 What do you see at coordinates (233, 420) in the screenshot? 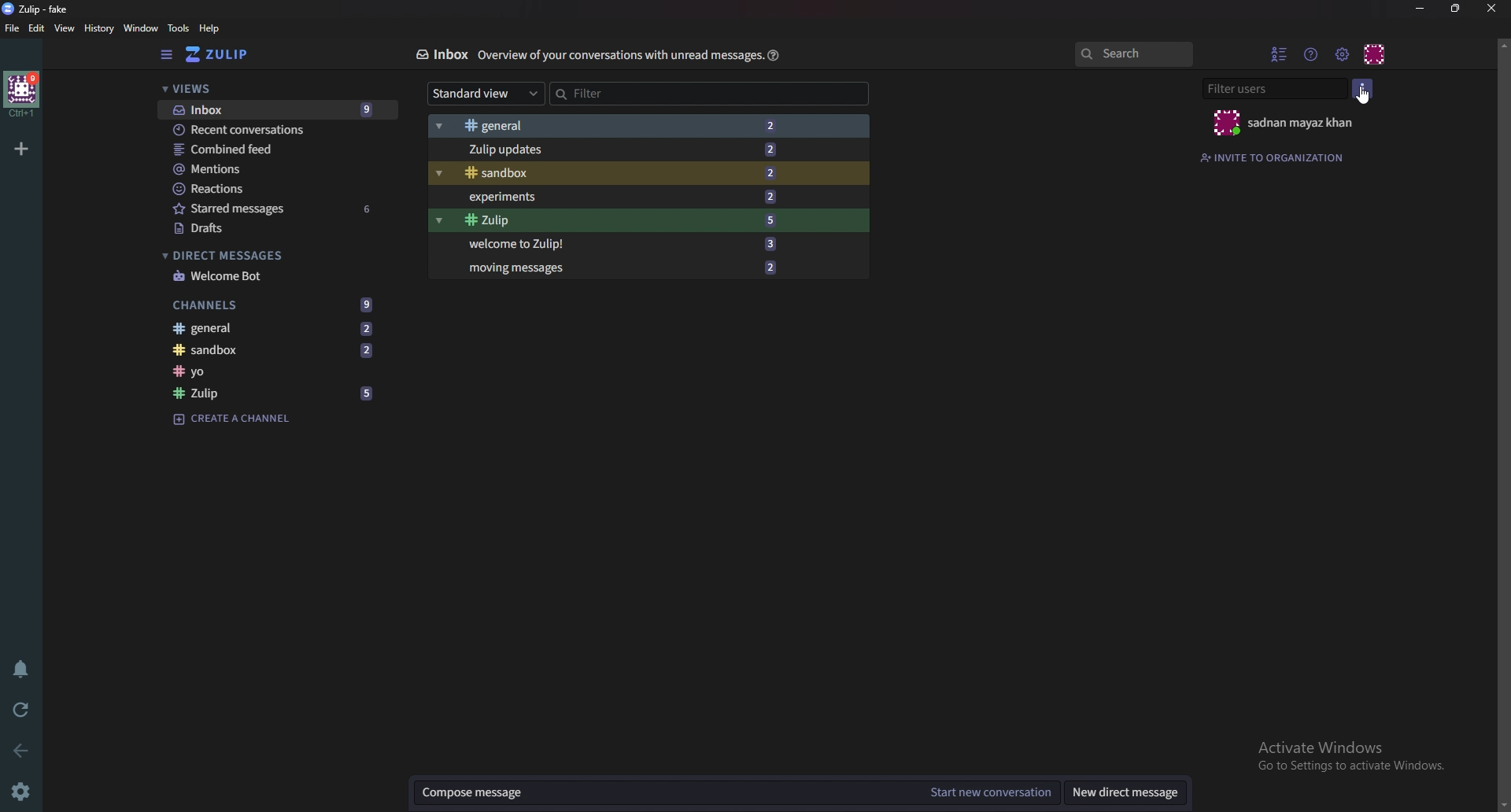
I see `Create a channel` at bounding box center [233, 420].